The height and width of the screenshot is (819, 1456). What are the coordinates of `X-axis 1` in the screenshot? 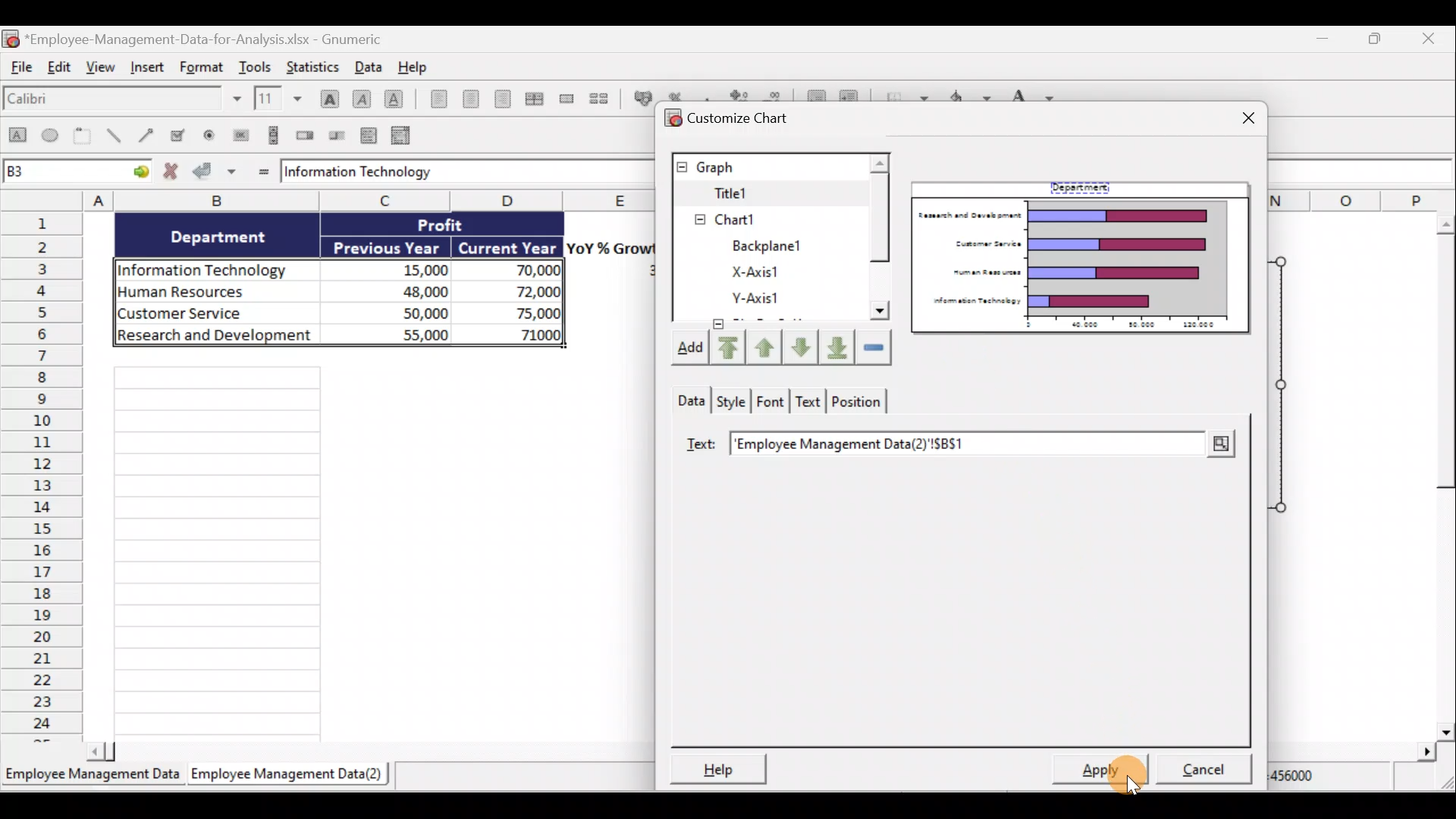 It's located at (782, 245).